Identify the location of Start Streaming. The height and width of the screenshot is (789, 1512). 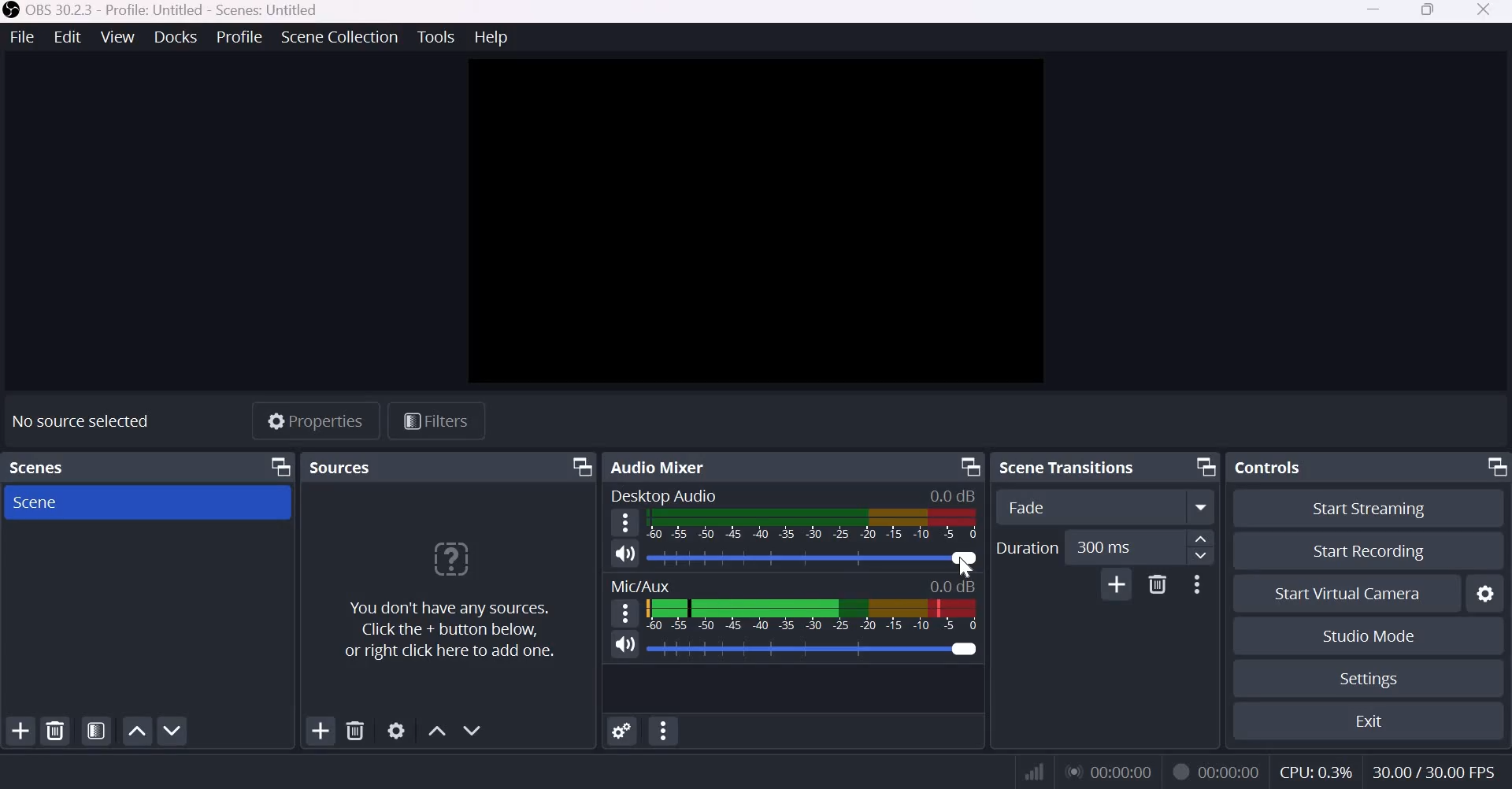
(1362, 509).